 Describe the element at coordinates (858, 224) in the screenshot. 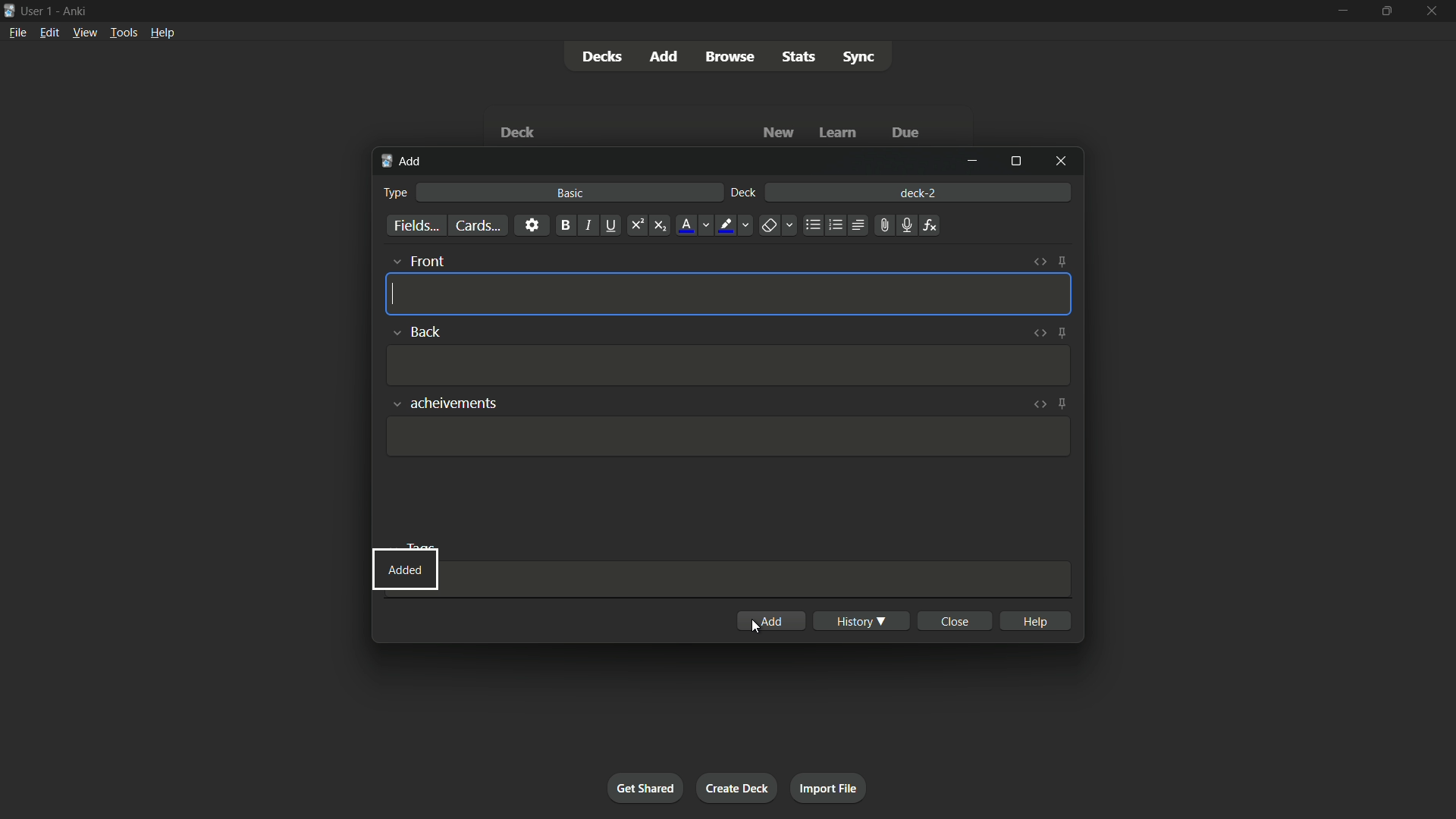

I see `alignment` at that location.